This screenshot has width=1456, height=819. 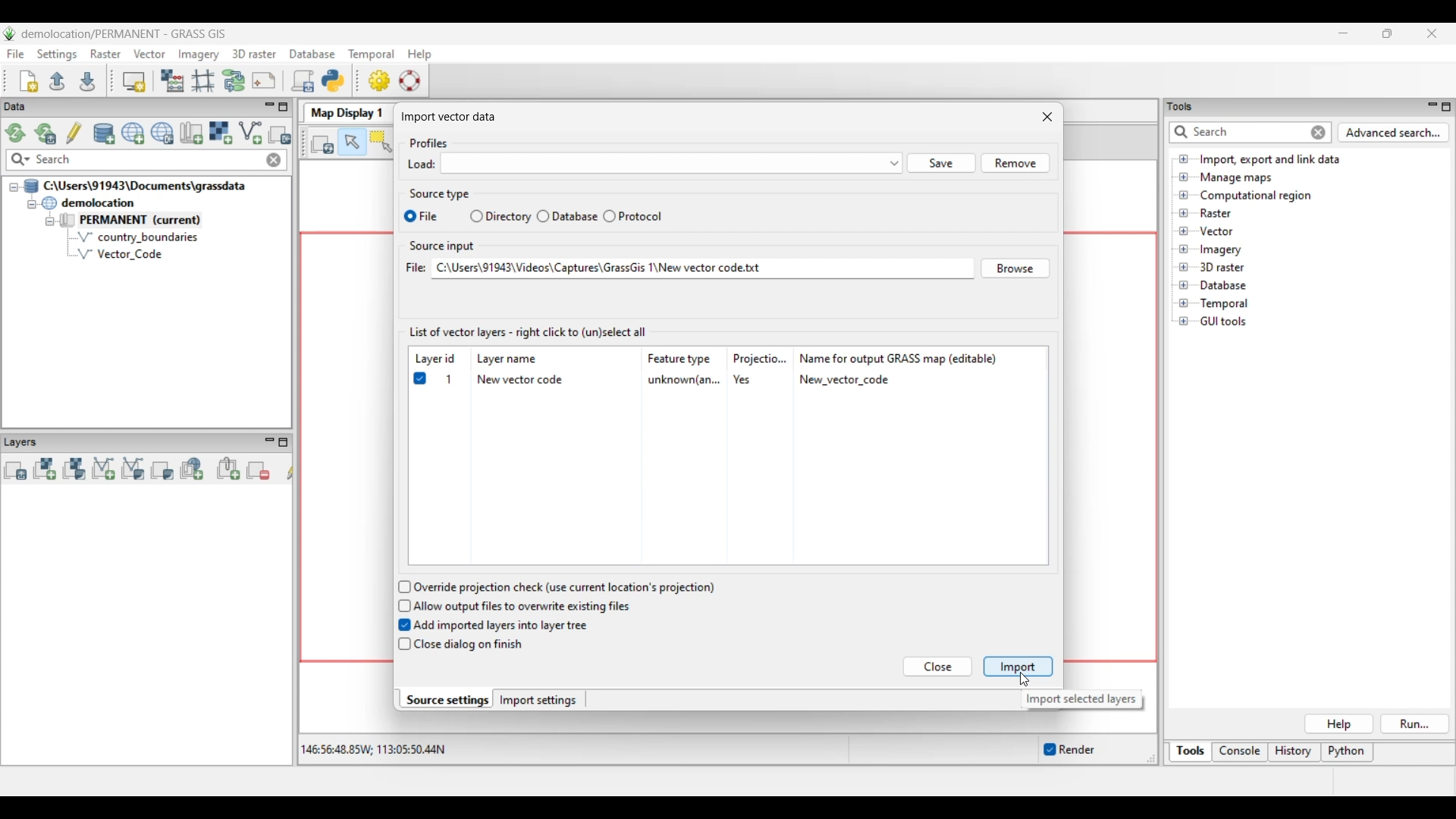 I want to click on Vector menu, so click(x=149, y=54).